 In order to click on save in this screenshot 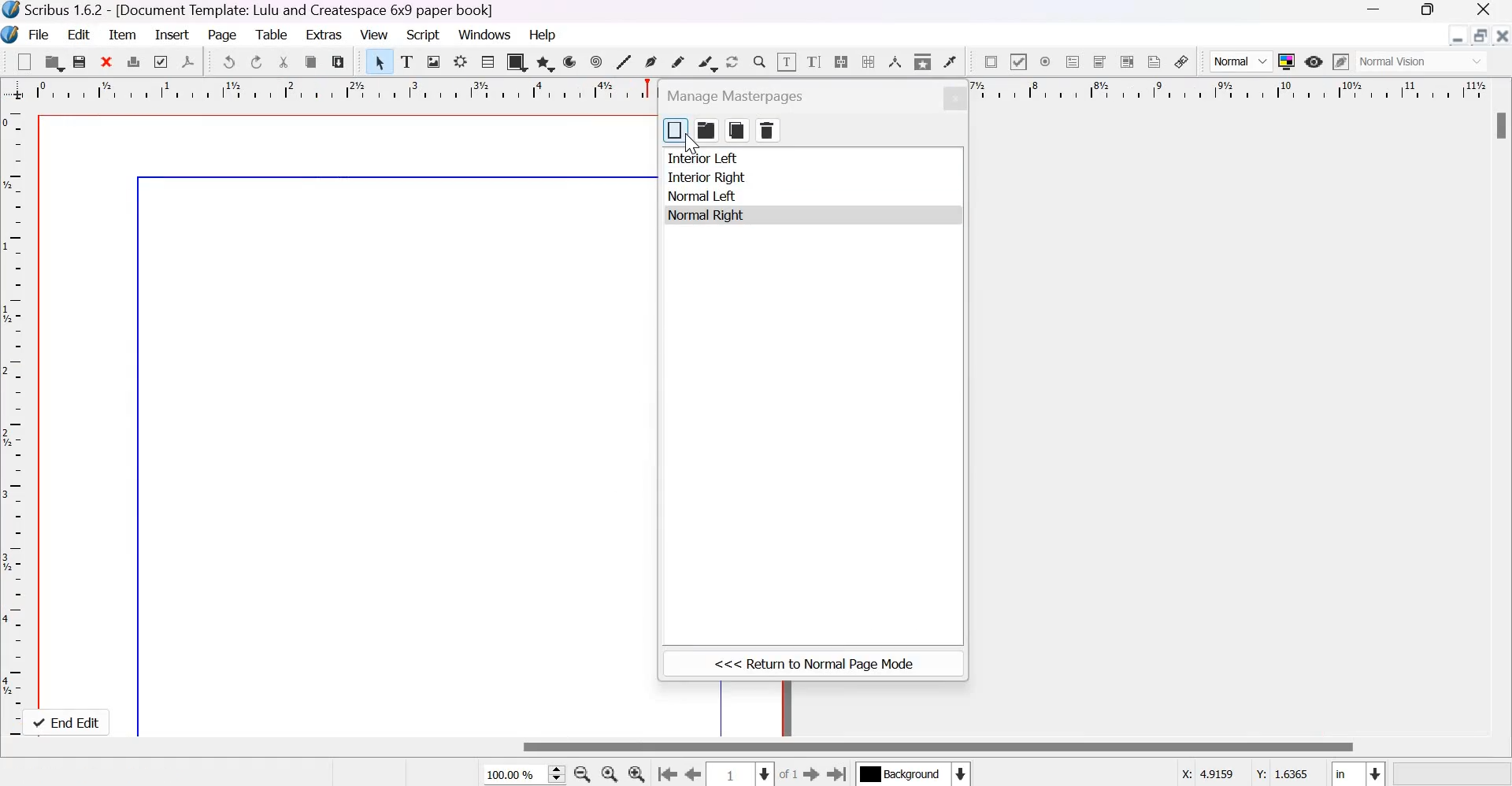, I will do `click(80, 61)`.